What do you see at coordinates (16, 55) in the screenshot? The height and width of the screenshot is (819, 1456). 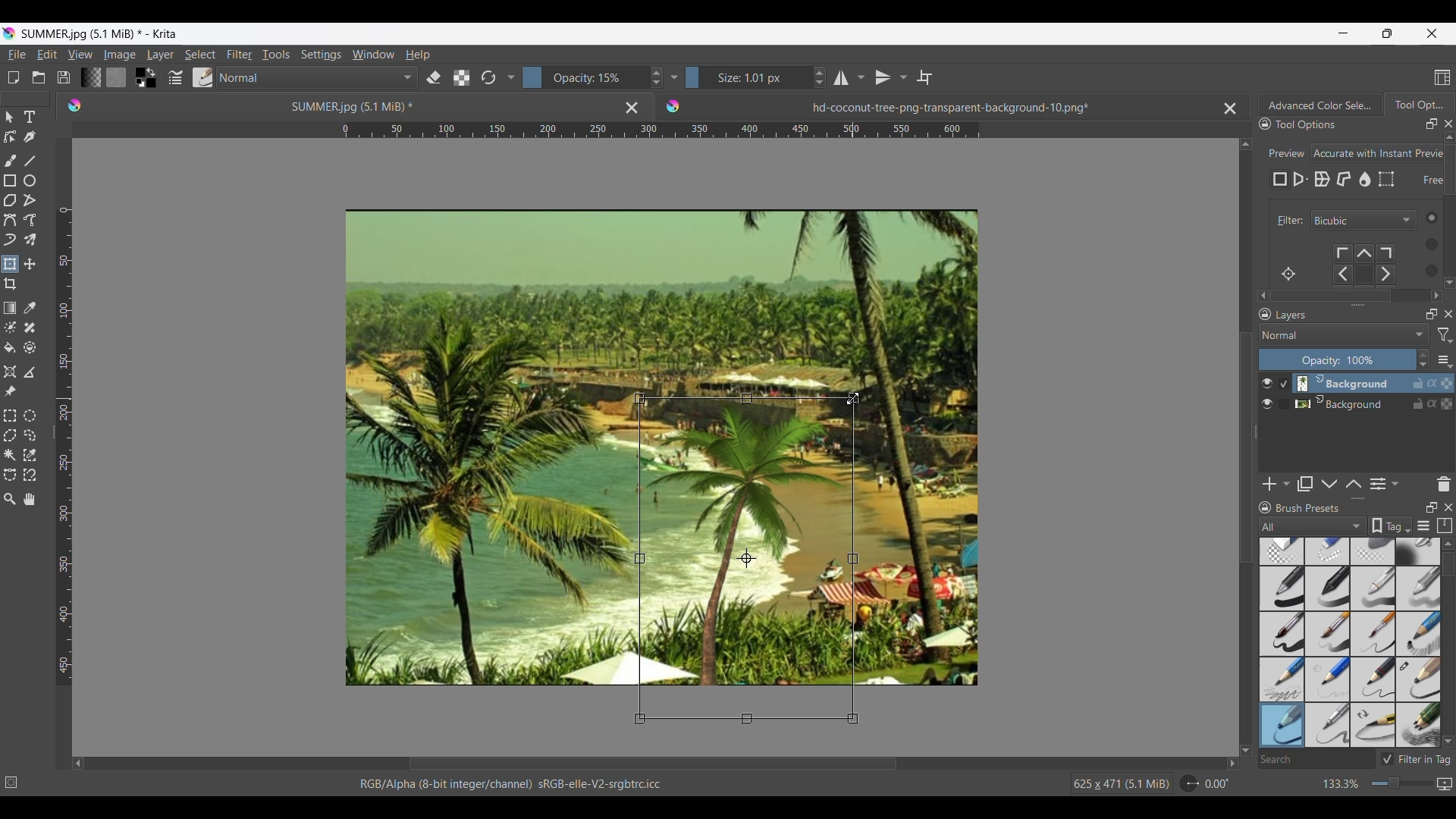 I see `File` at bounding box center [16, 55].